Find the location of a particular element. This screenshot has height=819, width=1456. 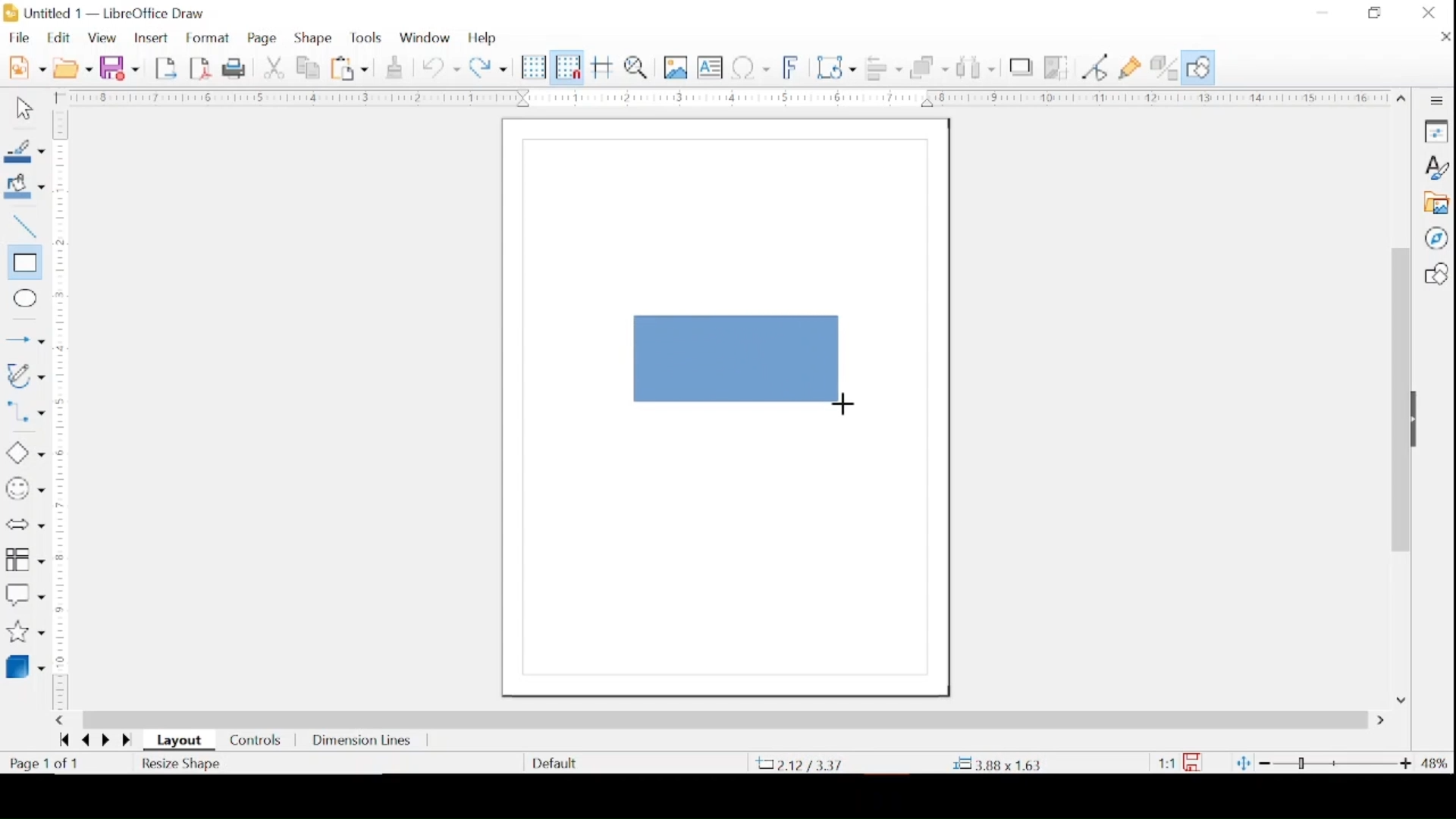

flowchart is located at coordinates (25, 560).